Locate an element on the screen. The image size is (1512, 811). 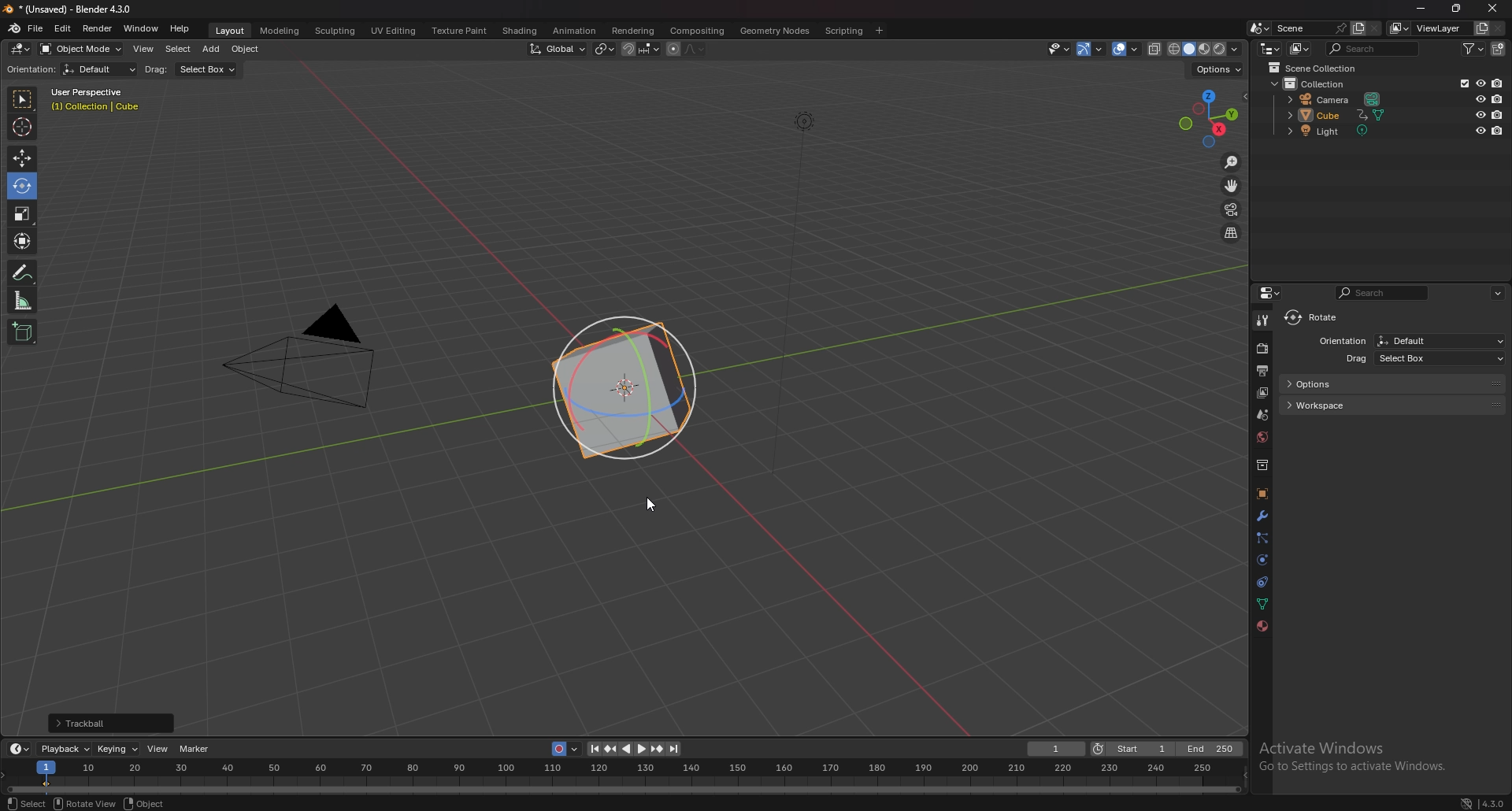
close is located at coordinates (1492, 9).